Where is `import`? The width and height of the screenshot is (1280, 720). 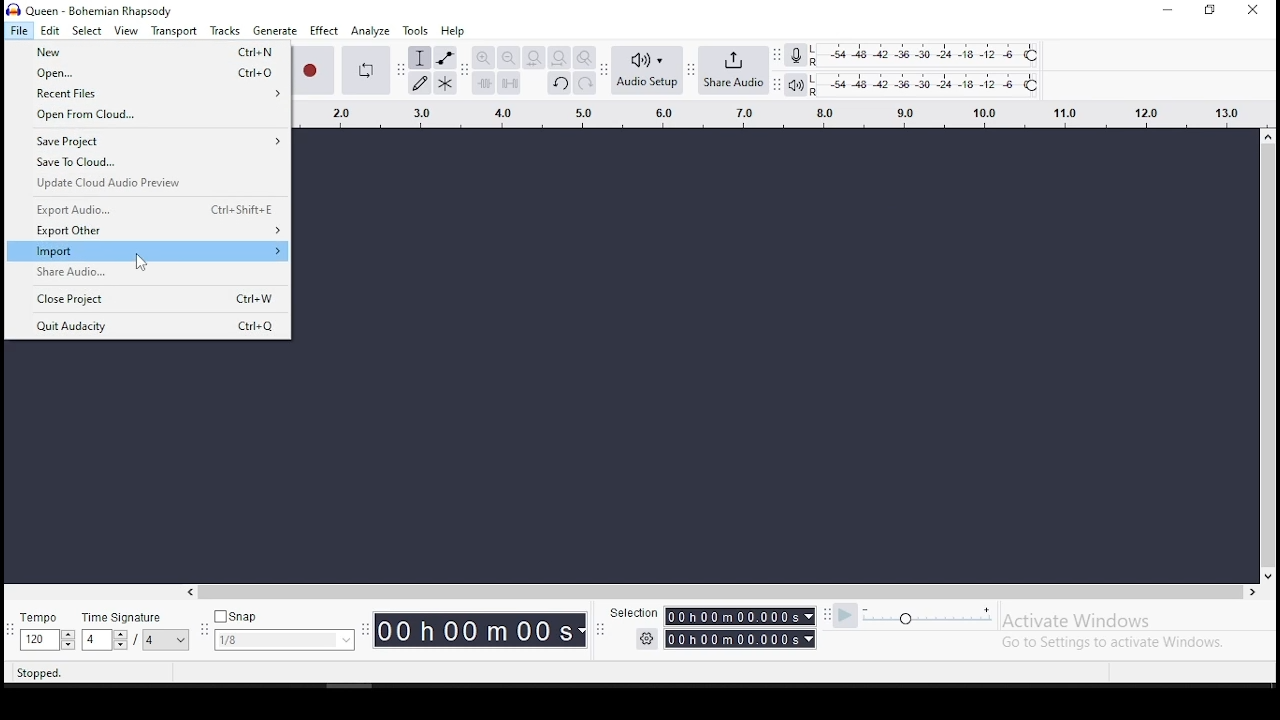 import is located at coordinates (146, 253).